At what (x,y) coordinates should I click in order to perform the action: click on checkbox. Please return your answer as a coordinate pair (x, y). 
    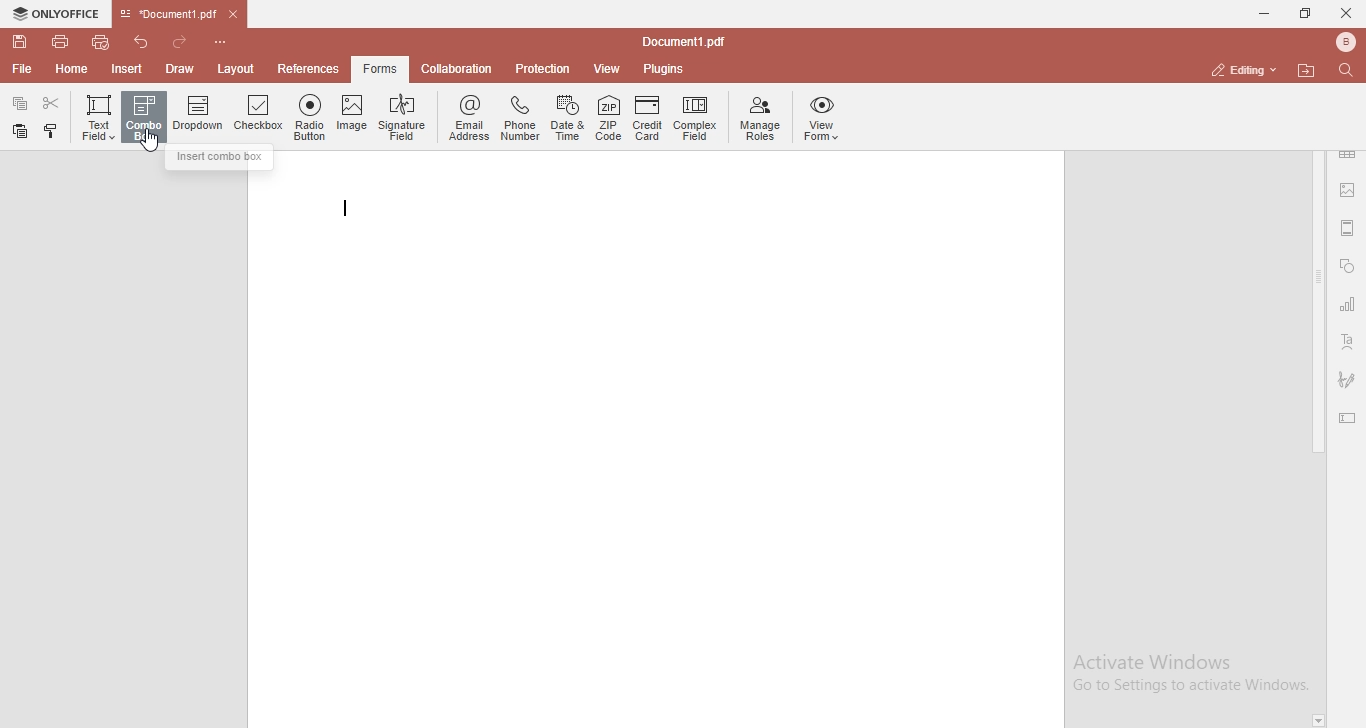
    Looking at the image, I should click on (259, 117).